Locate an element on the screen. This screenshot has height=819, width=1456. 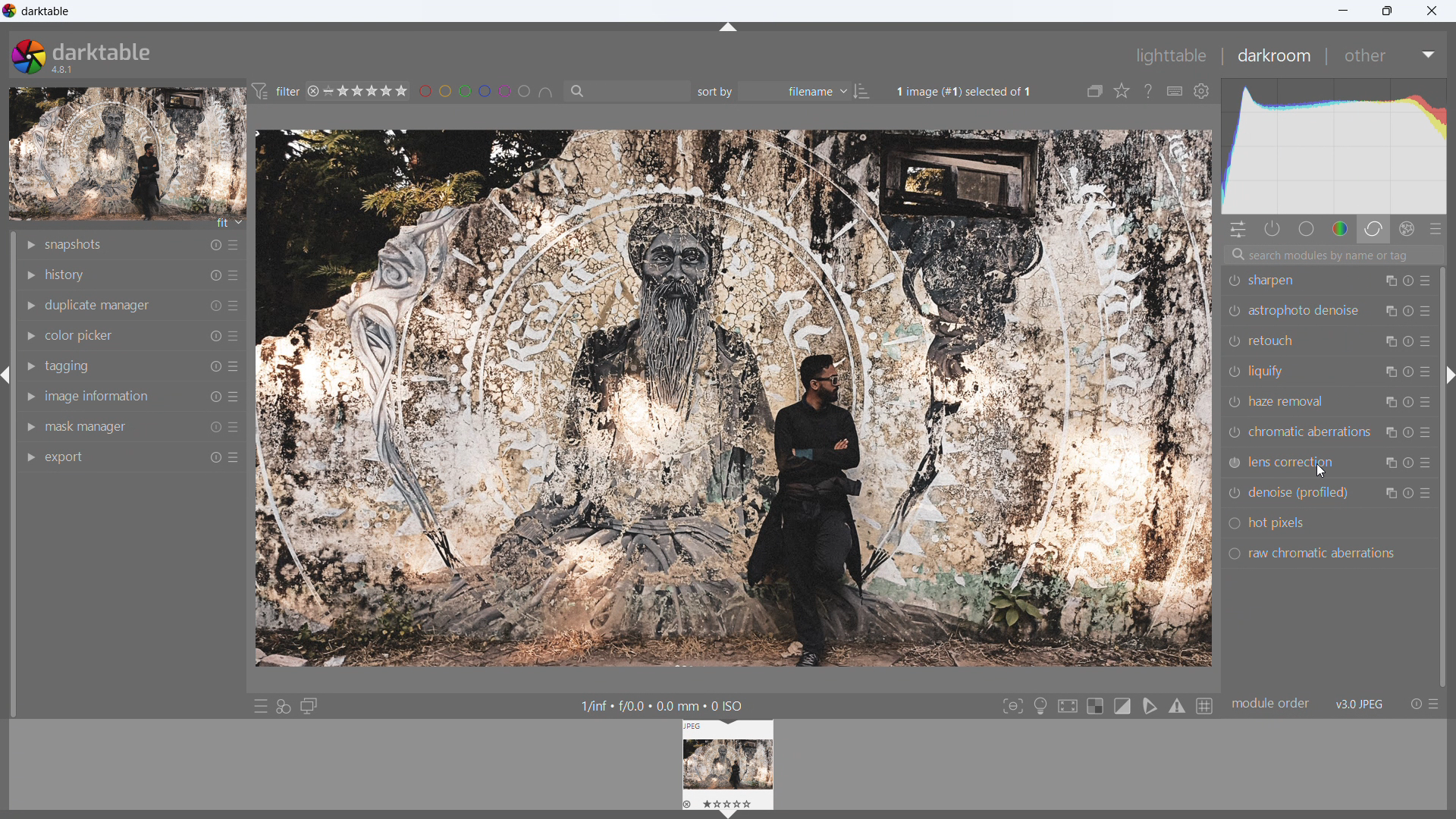
show module is located at coordinates (31, 428).